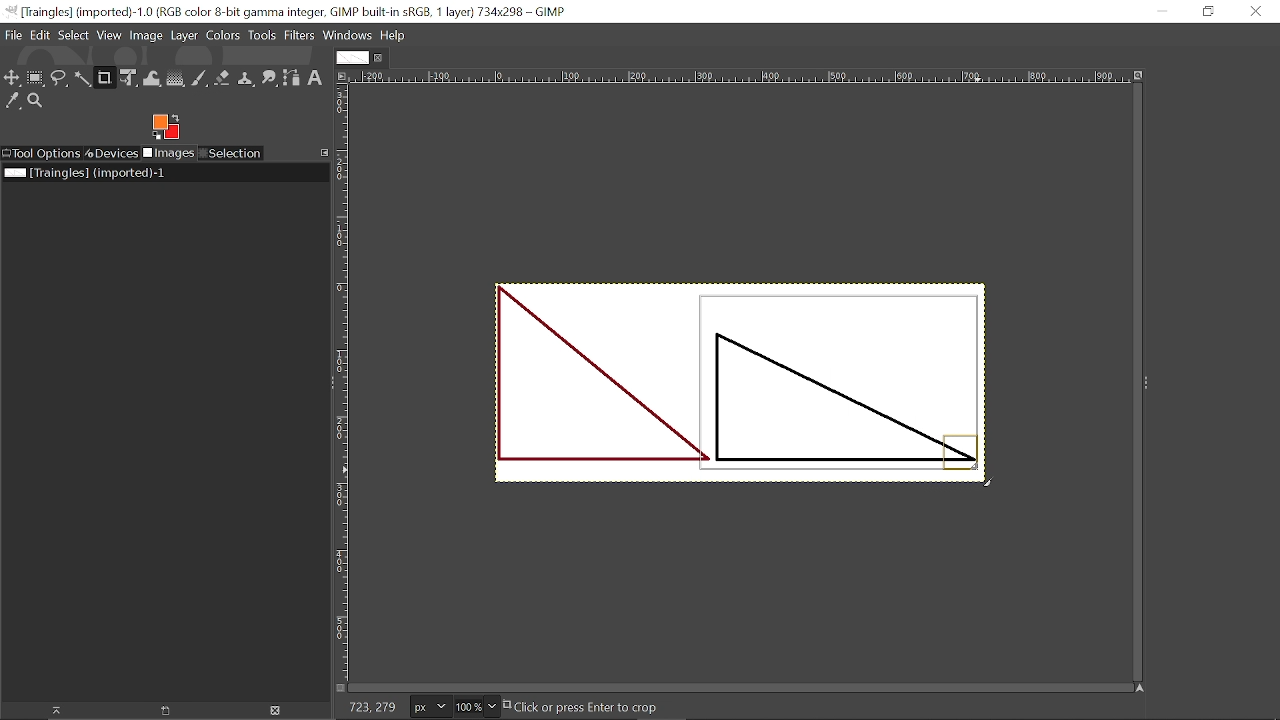 This screenshot has height=720, width=1280. I want to click on Restore down, so click(1206, 13).